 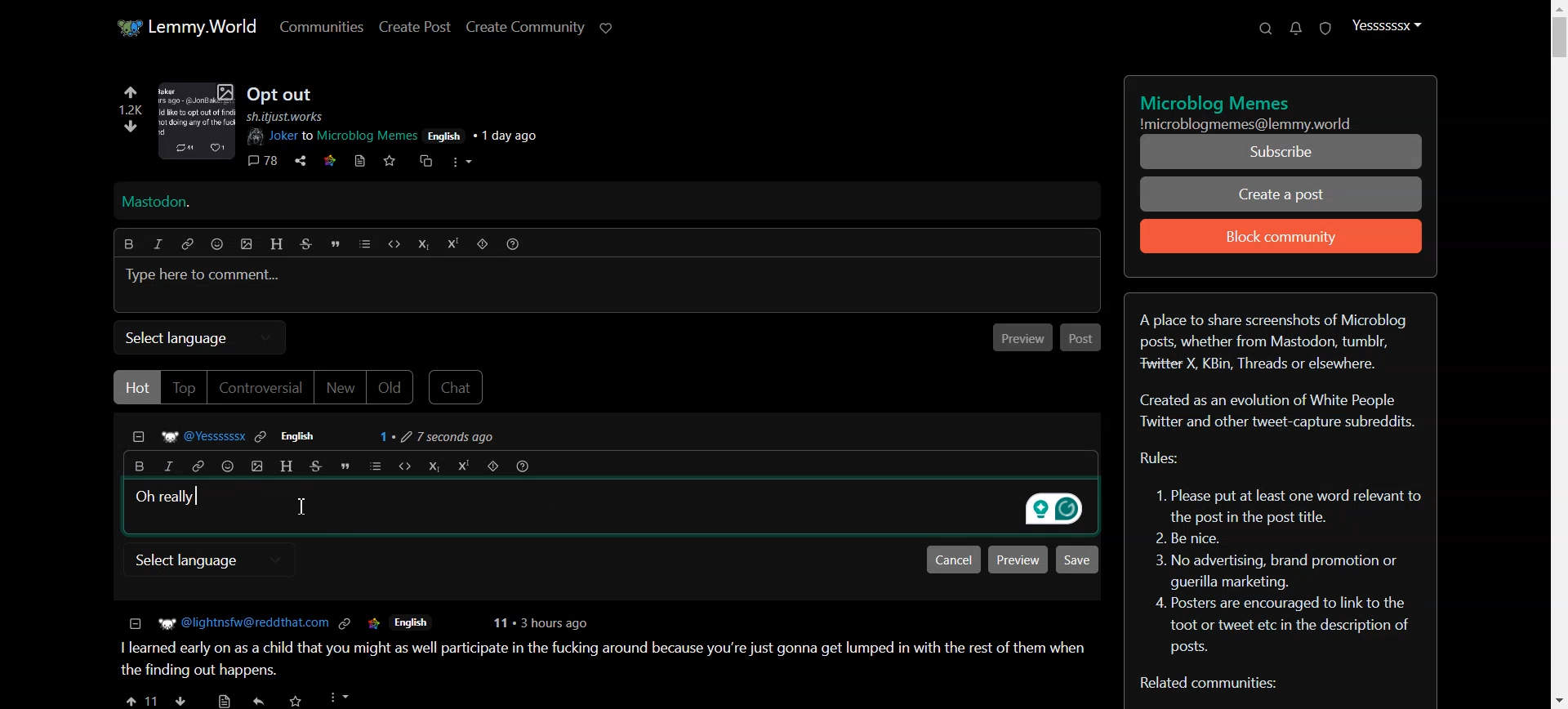 I want to click on Superscript, so click(x=453, y=244).